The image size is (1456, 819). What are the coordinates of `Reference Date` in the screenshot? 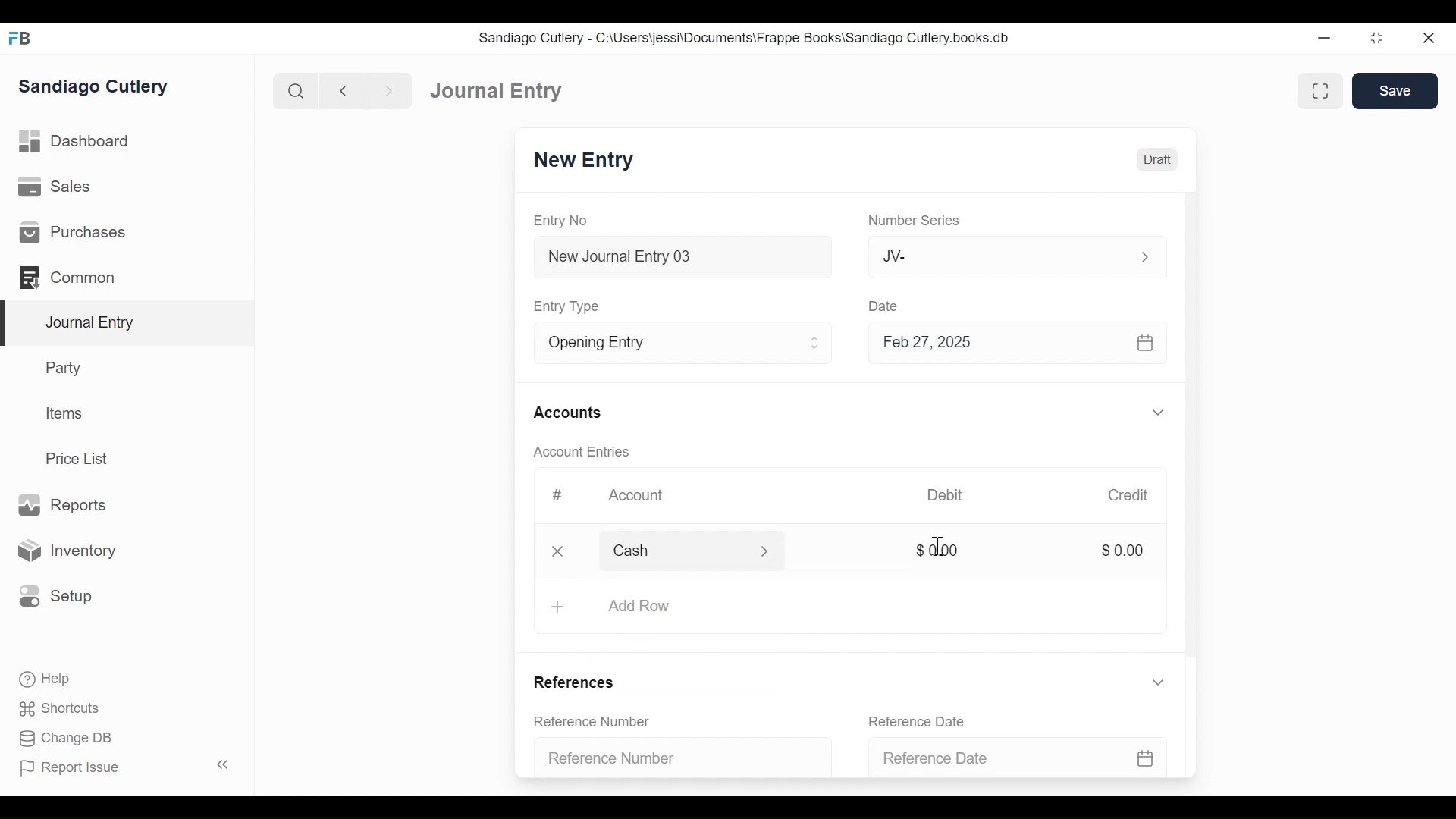 It's located at (921, 720).